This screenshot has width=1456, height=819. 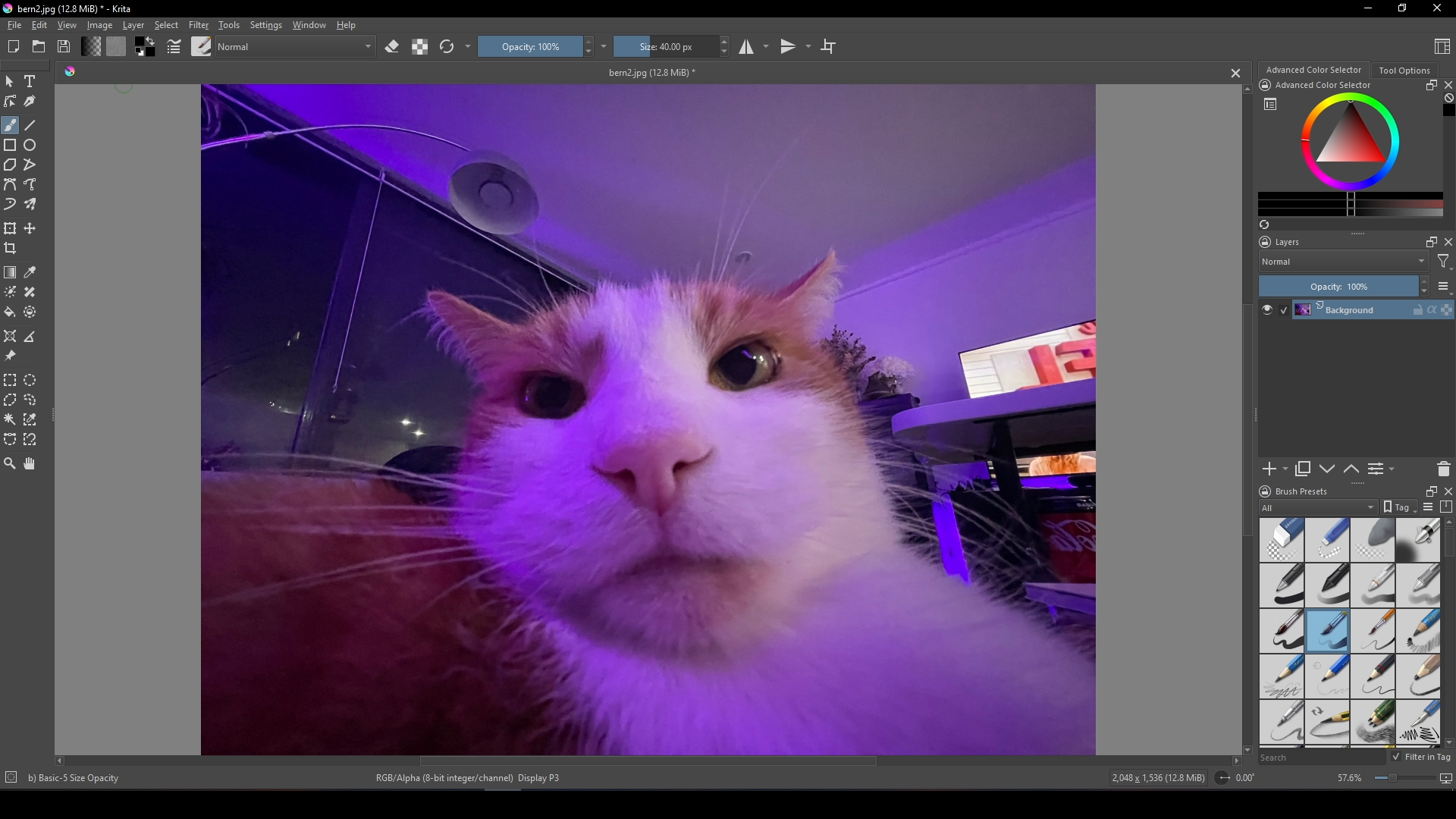 What do you see at coordinates (1264, 224) in the screenshot?
I see `Create a list of colors from the image` at bounding box center [1264, 224].